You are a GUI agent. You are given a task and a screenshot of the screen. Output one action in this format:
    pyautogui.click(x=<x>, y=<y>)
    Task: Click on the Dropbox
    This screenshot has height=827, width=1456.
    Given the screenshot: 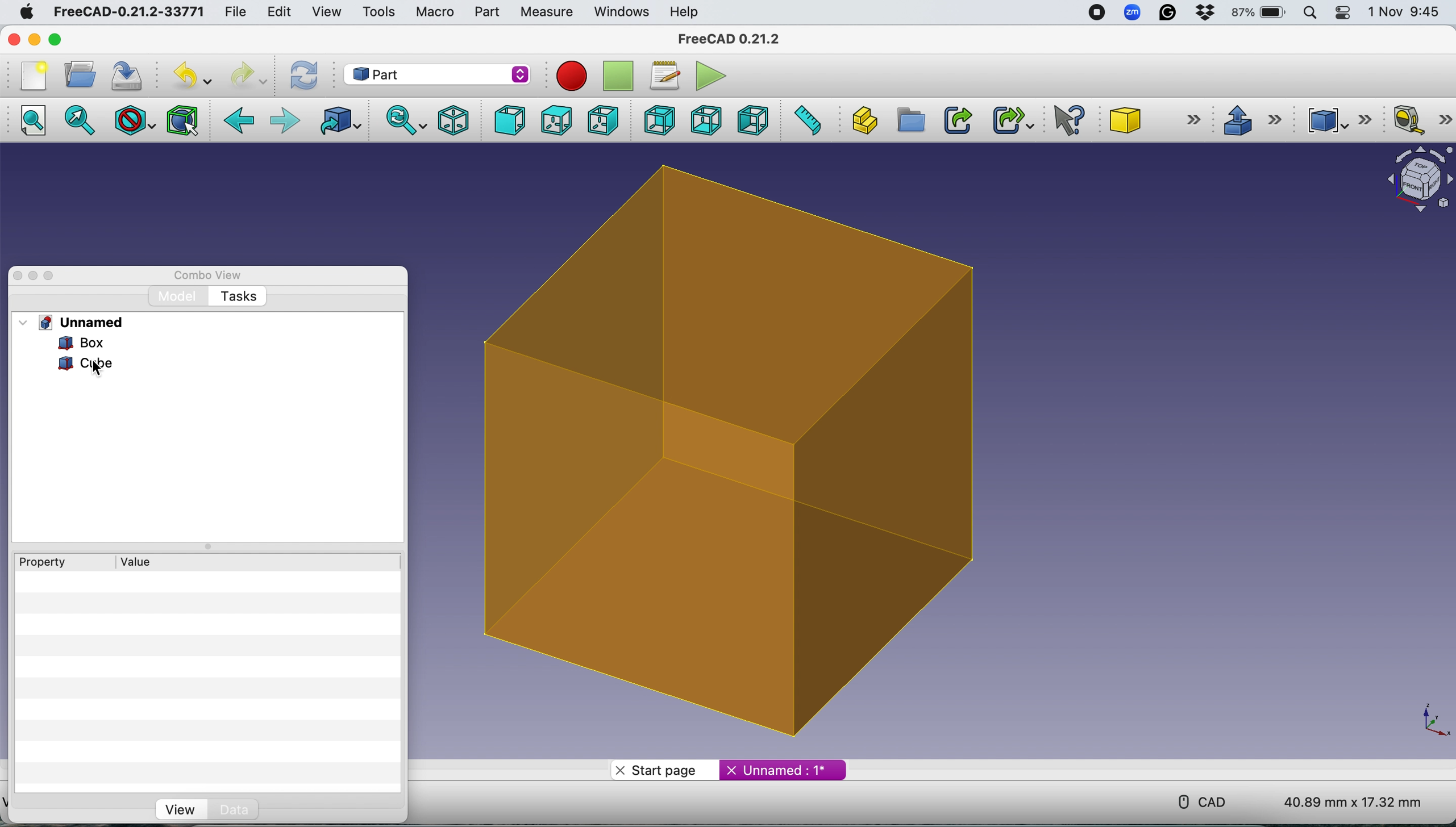 What is the action you would take?
    pyautogui.click(x=1206, y=14)
    